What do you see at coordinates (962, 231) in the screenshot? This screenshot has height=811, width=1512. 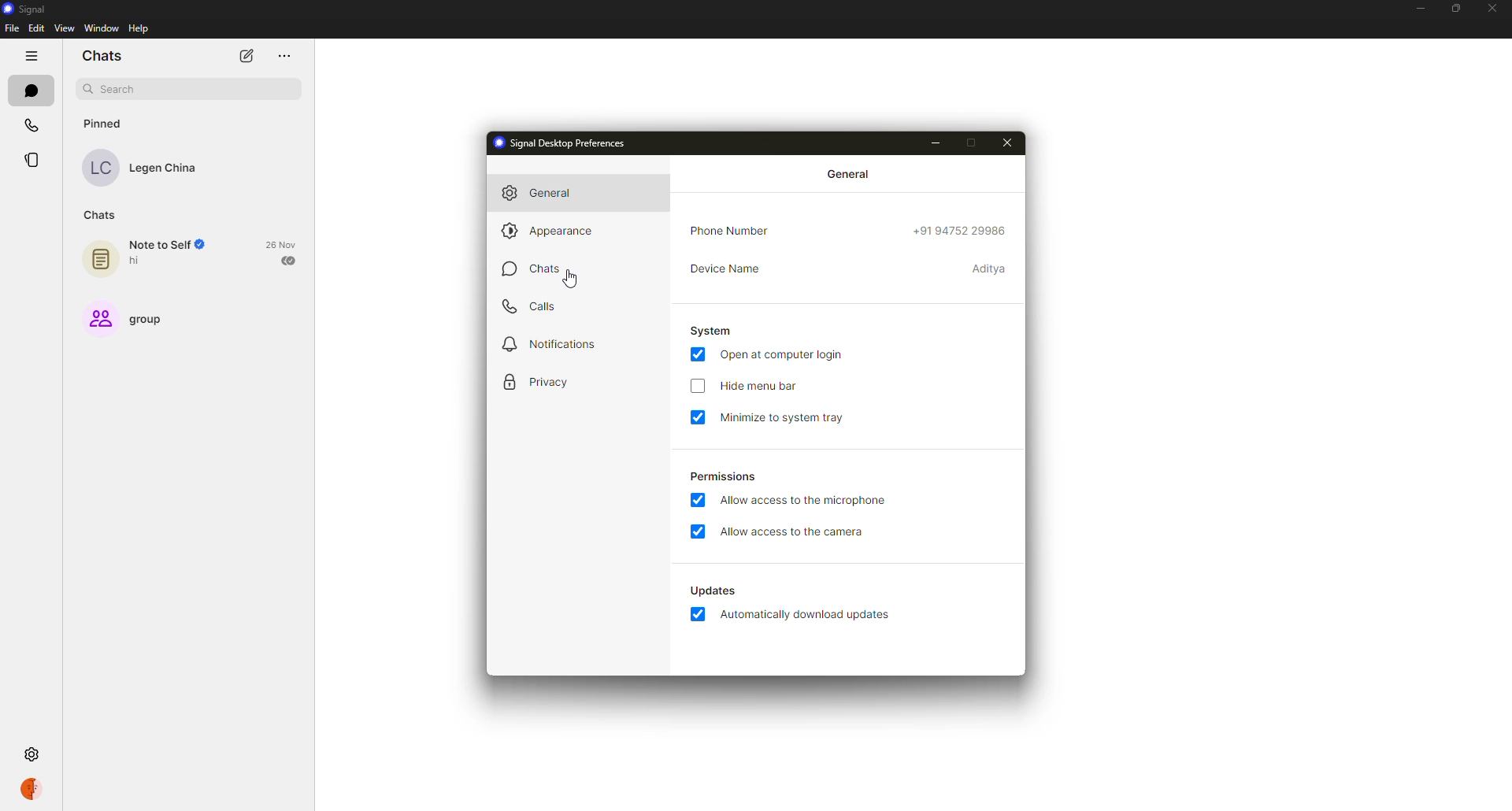 I see `phone number` at bounding box center [962, 231].